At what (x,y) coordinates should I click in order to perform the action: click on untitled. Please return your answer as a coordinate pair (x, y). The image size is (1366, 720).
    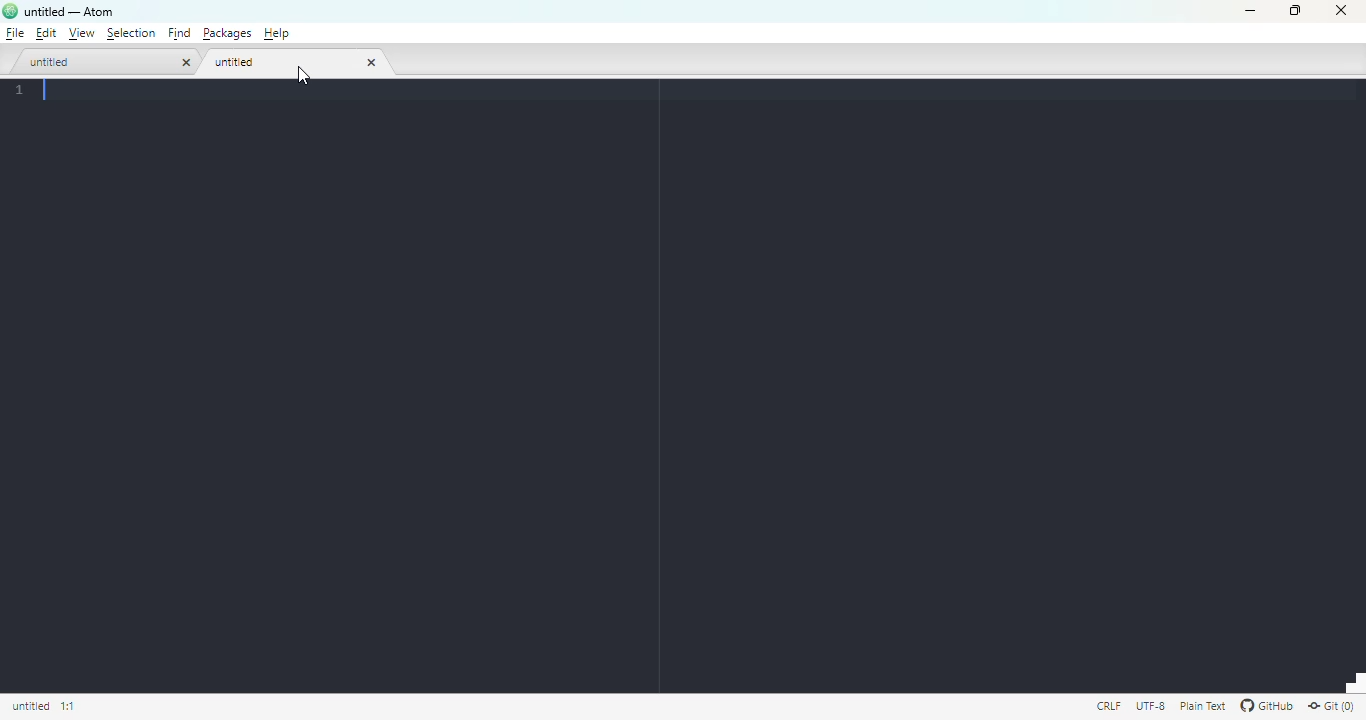
    Looking at the image, I should click on (52, 63).